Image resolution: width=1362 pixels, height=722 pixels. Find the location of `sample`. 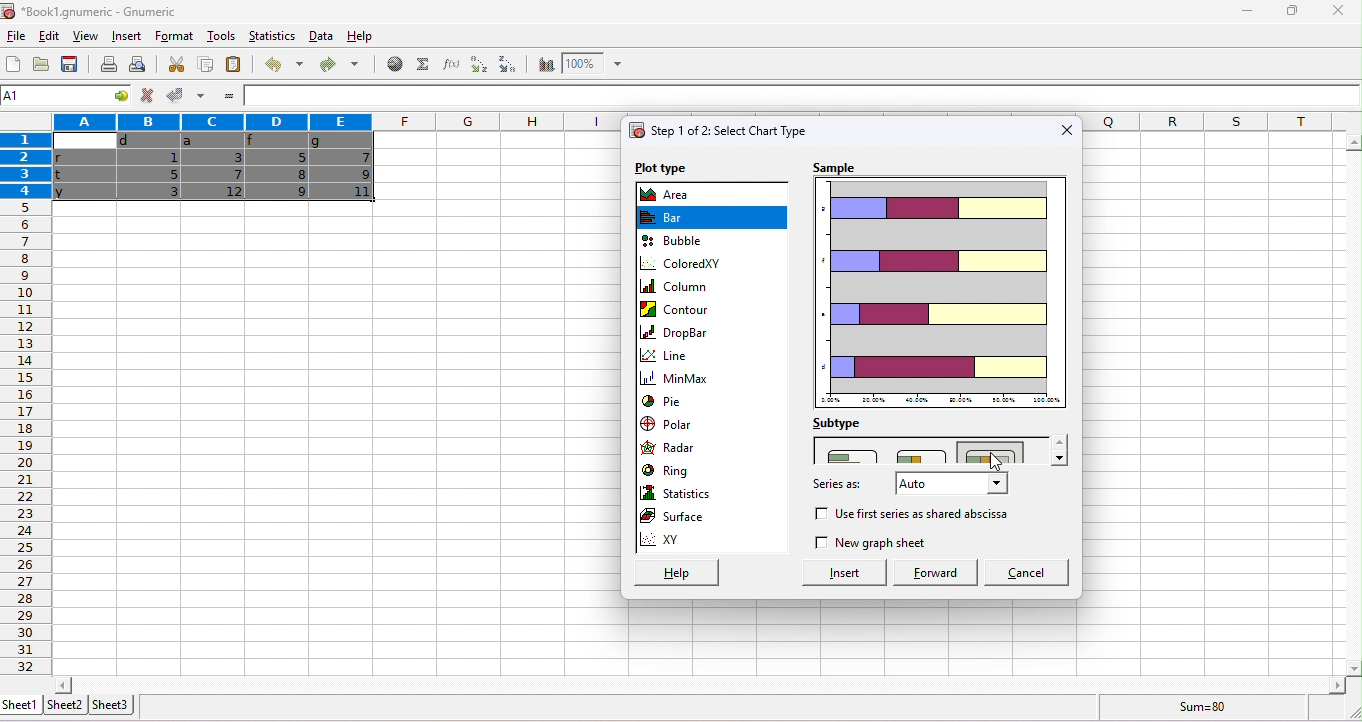

sample is located at coordinates (840, 167).